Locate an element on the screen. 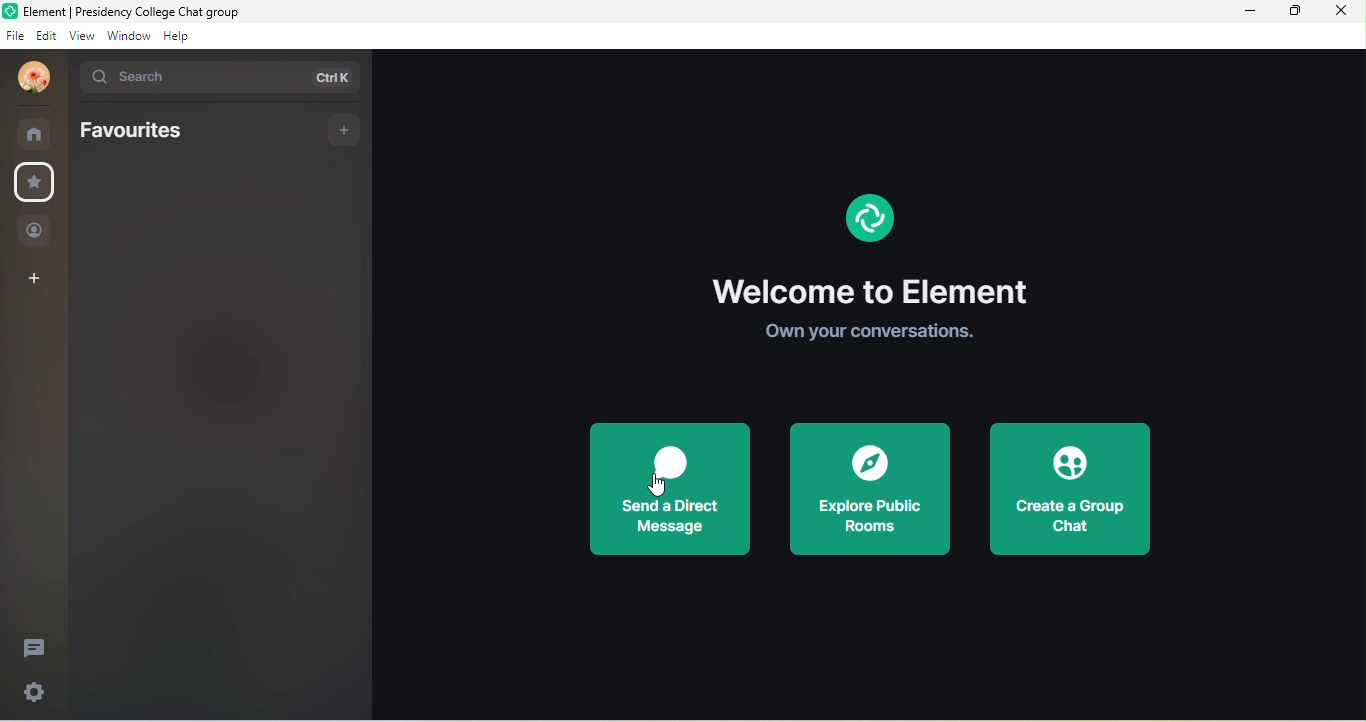  close is located at coordinates (1344, 11).